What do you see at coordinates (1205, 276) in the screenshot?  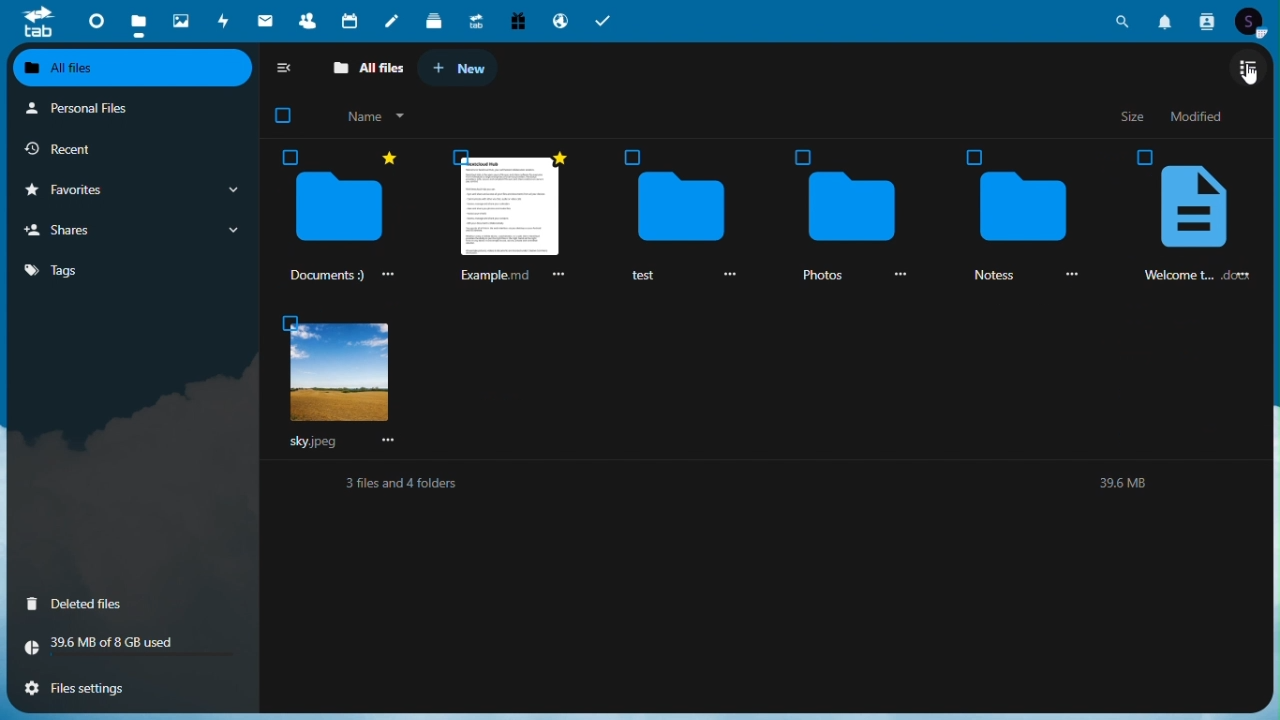 I see `welcome t... .docx` at bounding box center [1205, 276].